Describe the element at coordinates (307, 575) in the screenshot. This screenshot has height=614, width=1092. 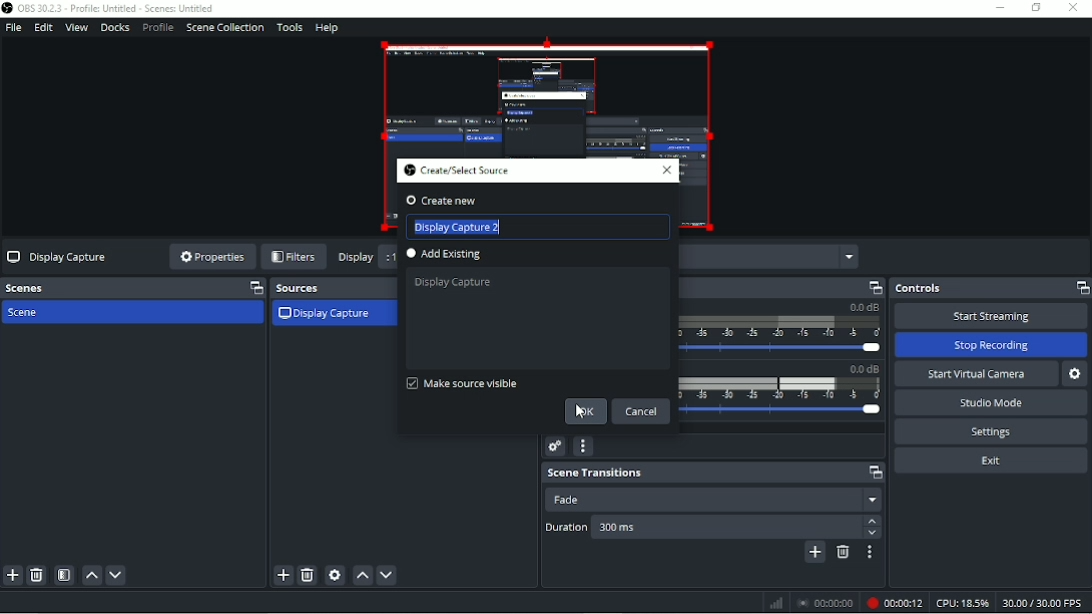
I see `Remove selected source(s)` at that location.